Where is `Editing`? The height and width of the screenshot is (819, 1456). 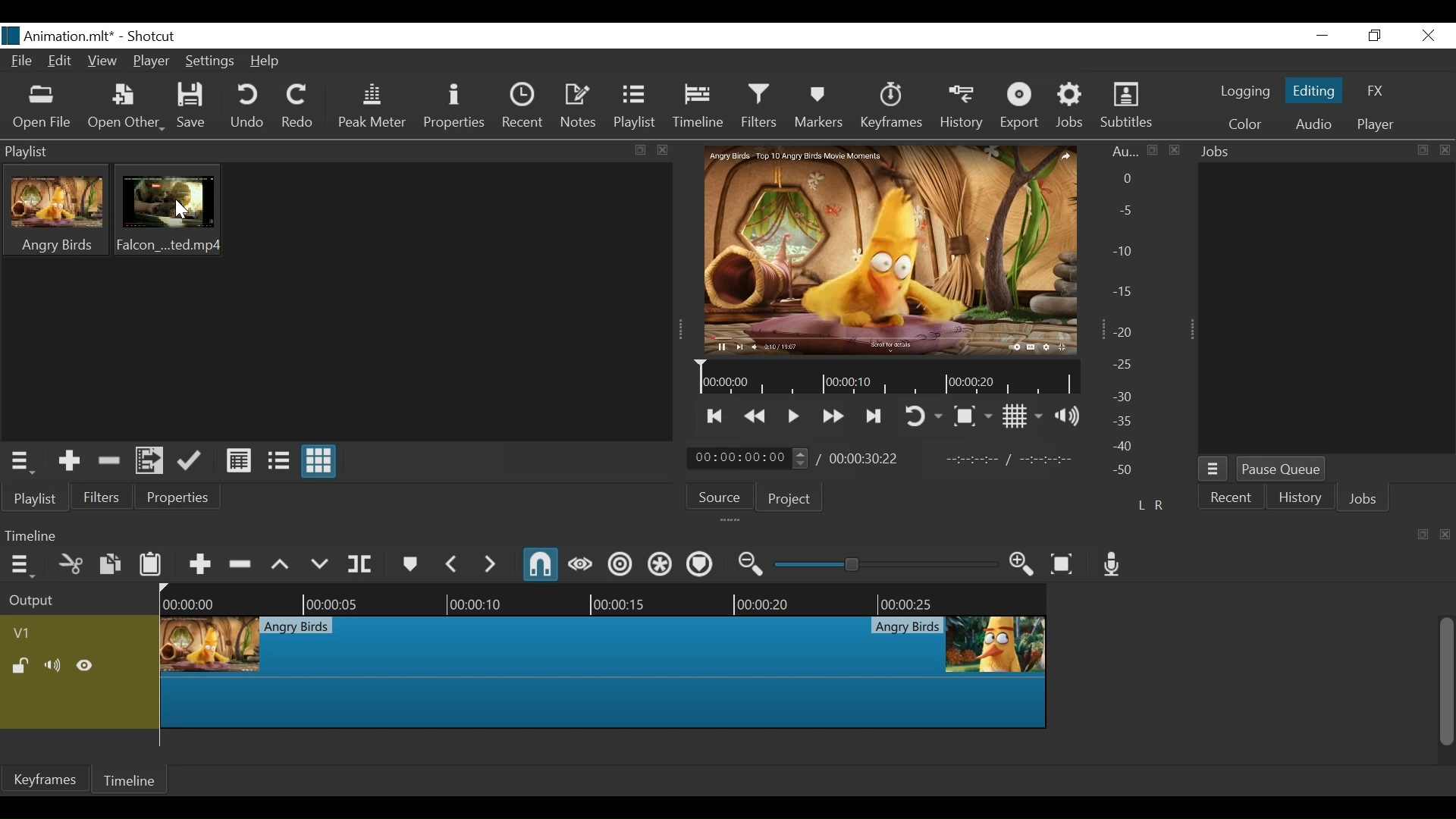 Editing is located at coordinates (1313, 91).